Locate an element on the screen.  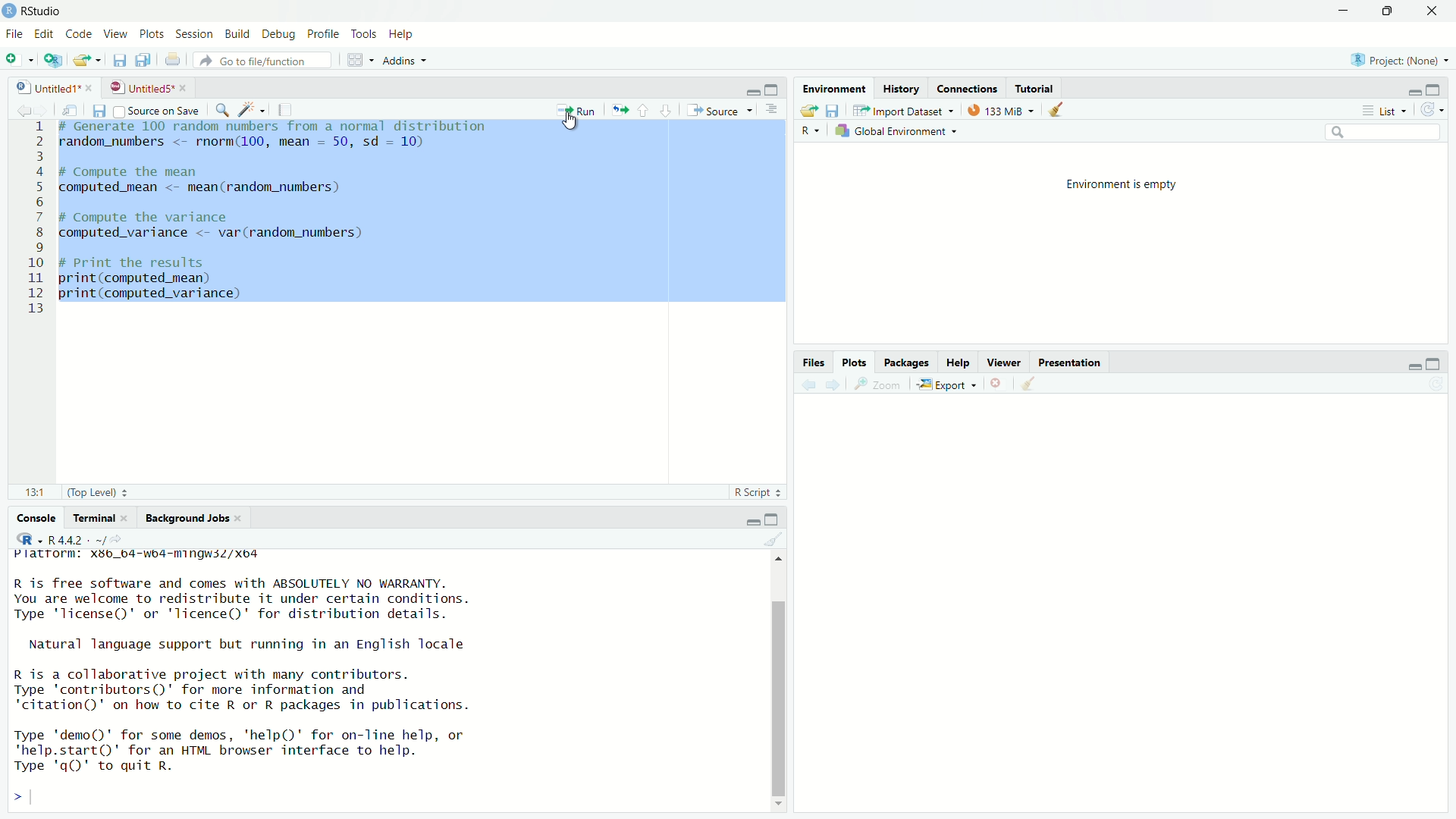
source is located at coordinates (722, 110).